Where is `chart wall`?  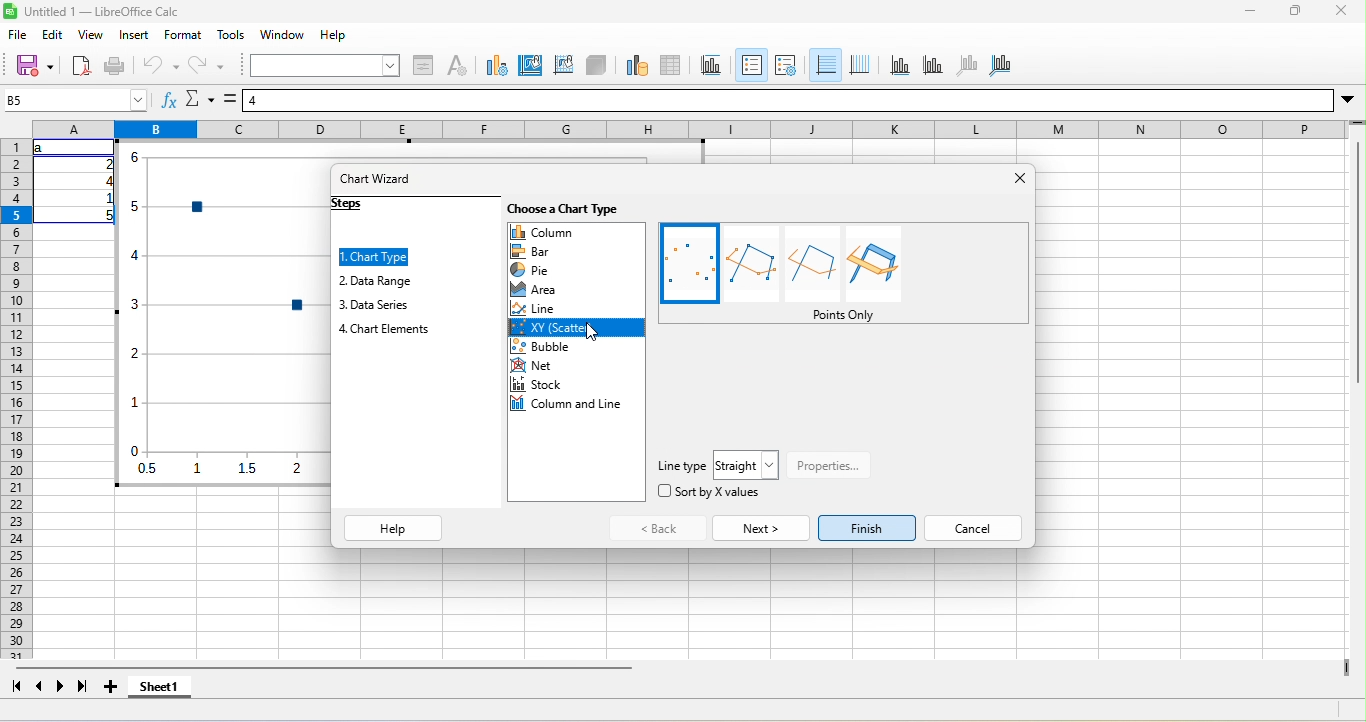
chart wall is located at coordinates (564, 67).